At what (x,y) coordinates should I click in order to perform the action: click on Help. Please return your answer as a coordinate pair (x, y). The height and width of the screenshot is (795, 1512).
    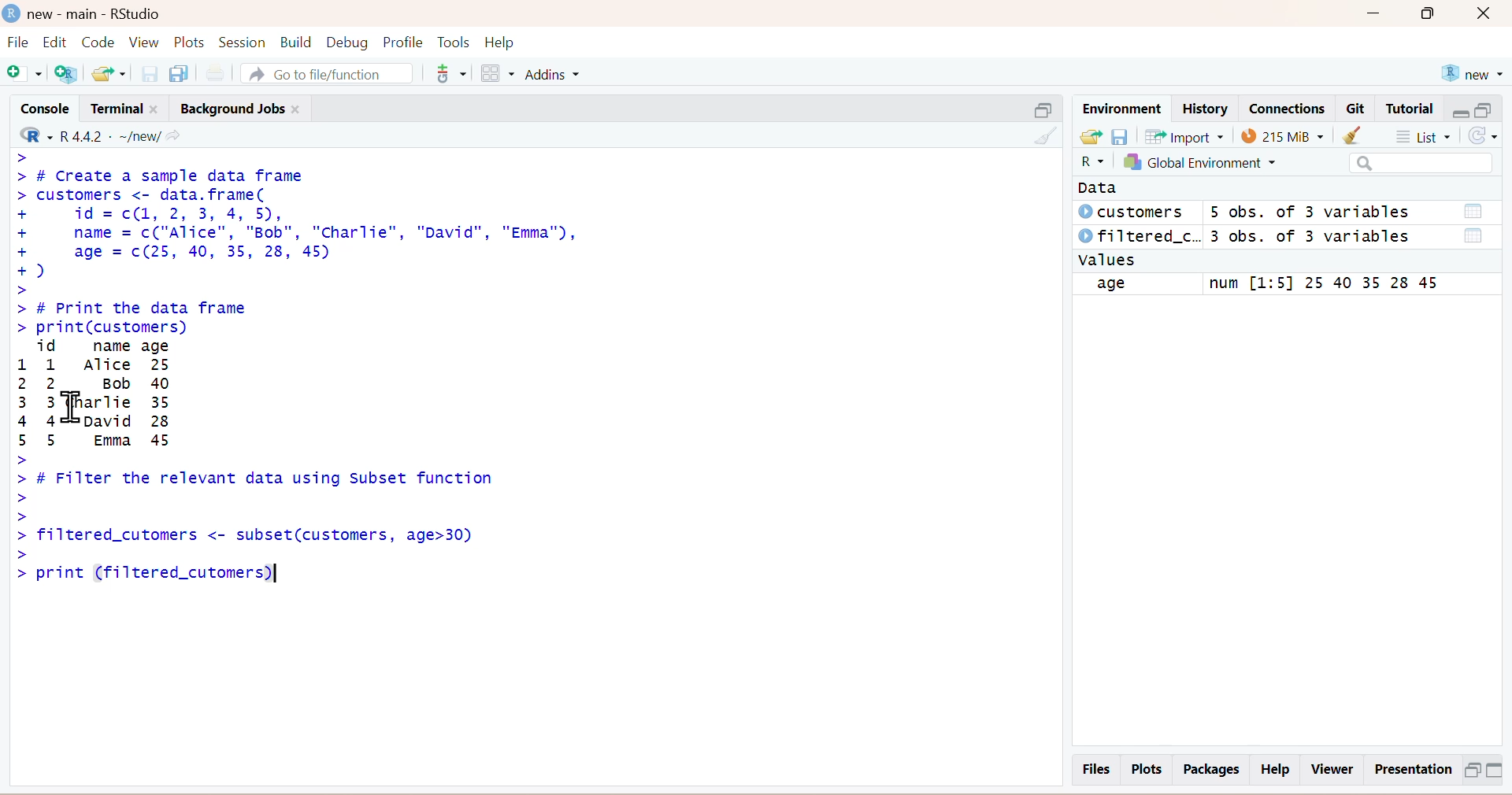
    Looking at the image, I should click on (1277, 770).